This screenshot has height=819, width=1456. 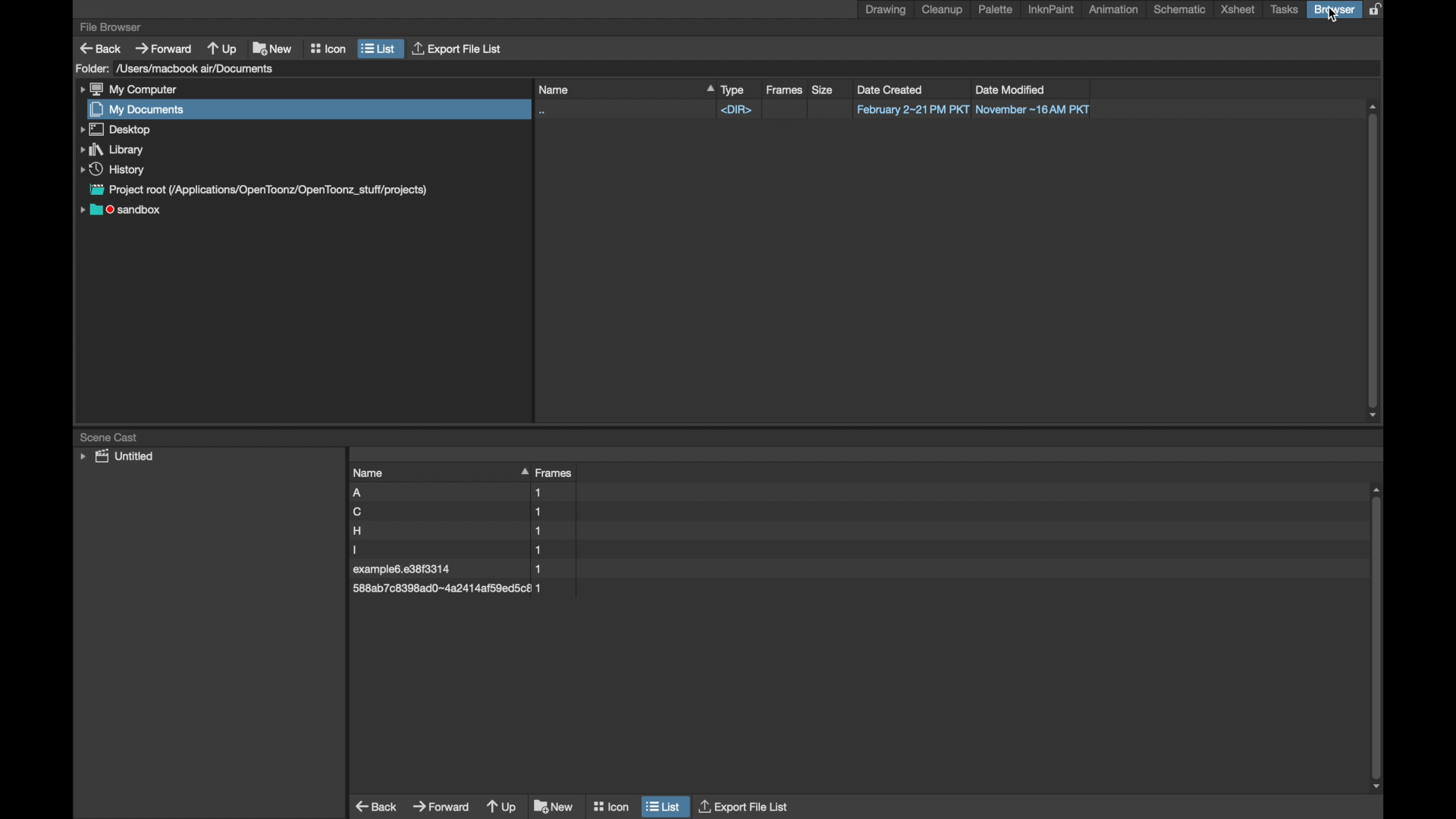 I want to click on history, so click(x=111, y=168).